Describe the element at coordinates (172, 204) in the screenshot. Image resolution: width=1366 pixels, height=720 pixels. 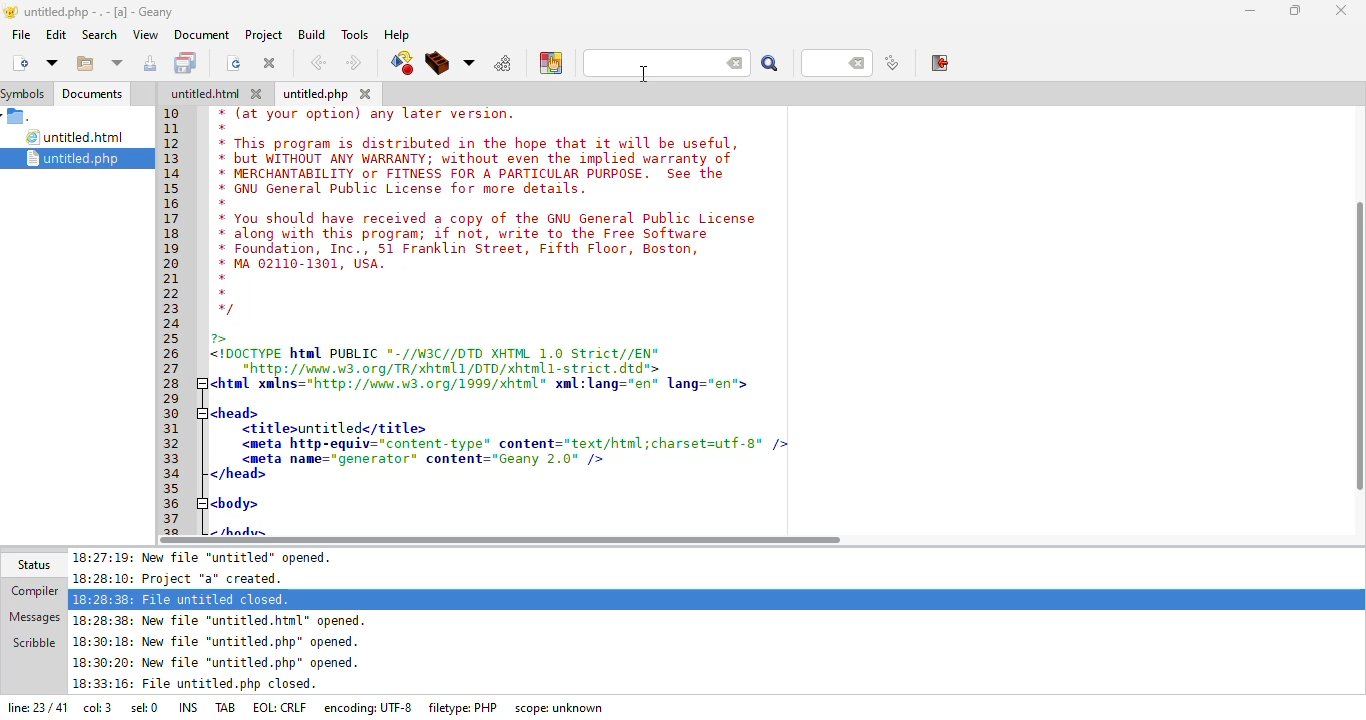
I see `16` at that location.